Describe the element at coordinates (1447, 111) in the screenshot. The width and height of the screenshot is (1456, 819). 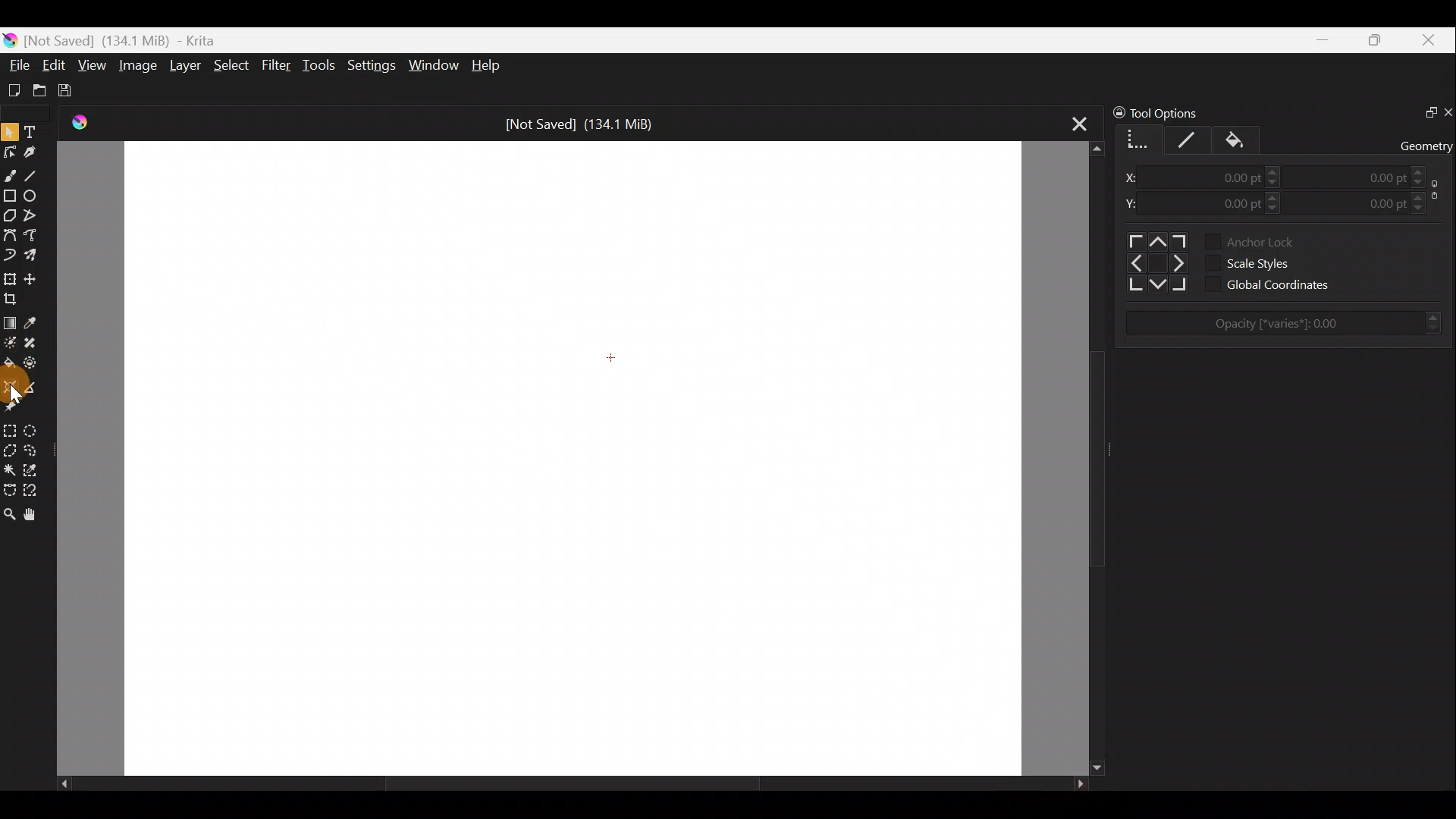
I see `Close docker` at that location.